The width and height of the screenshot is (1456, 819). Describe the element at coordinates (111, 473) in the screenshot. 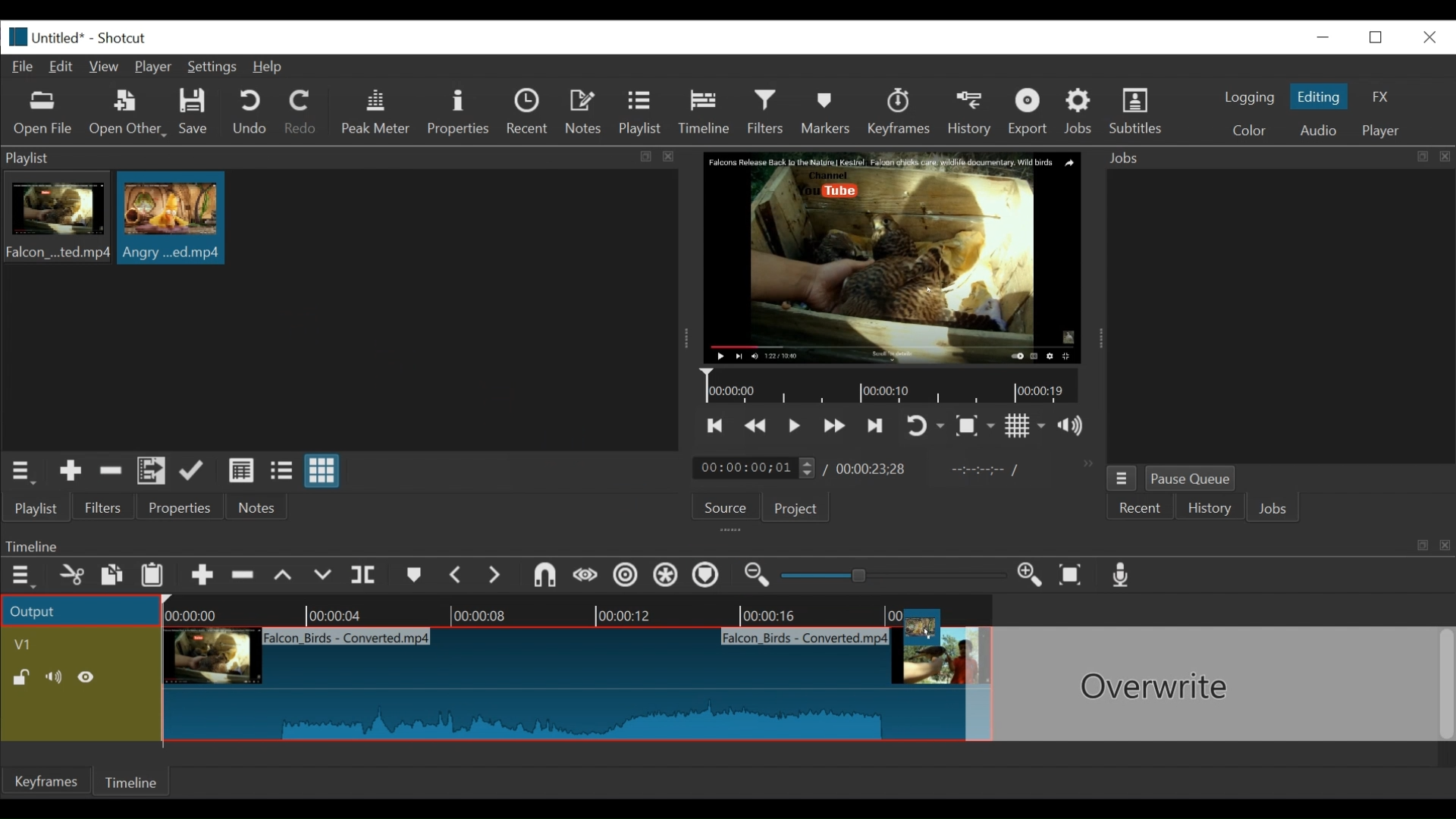

I see `Remove cut` at that location.